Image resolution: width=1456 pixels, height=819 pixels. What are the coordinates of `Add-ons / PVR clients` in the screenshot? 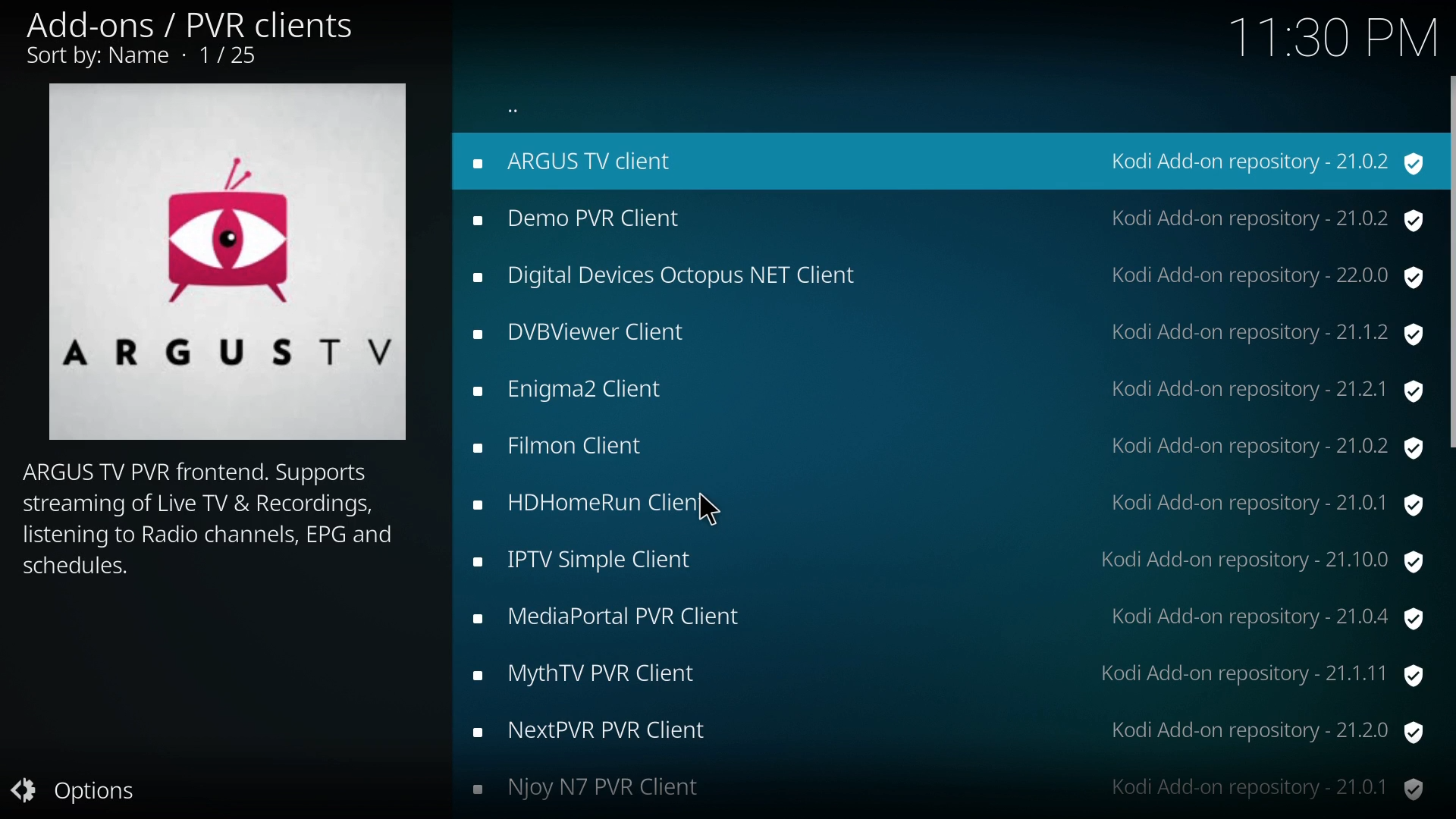 It's located at (183, 22).